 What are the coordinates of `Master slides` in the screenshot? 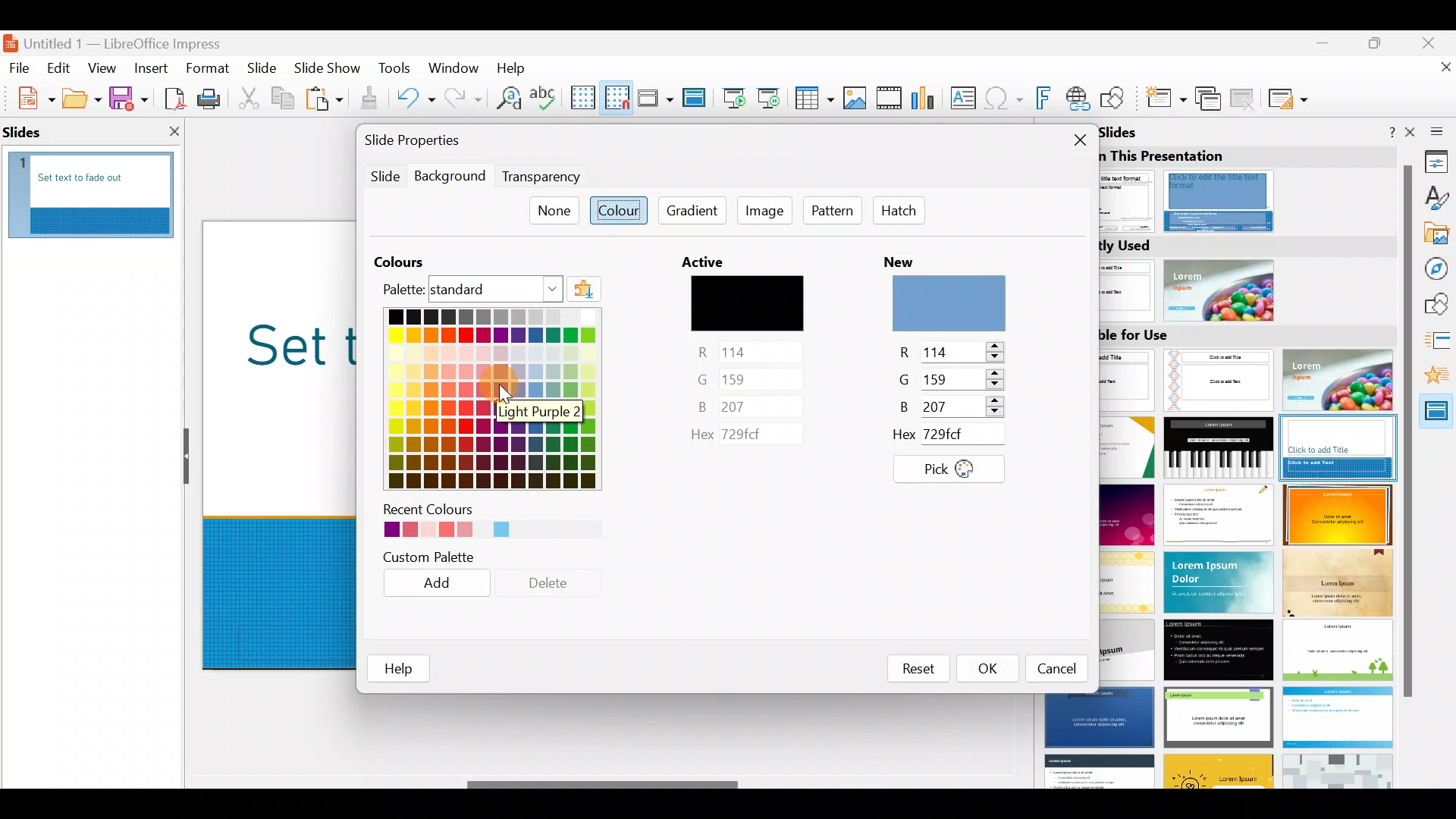 It's located at (1438, 416).